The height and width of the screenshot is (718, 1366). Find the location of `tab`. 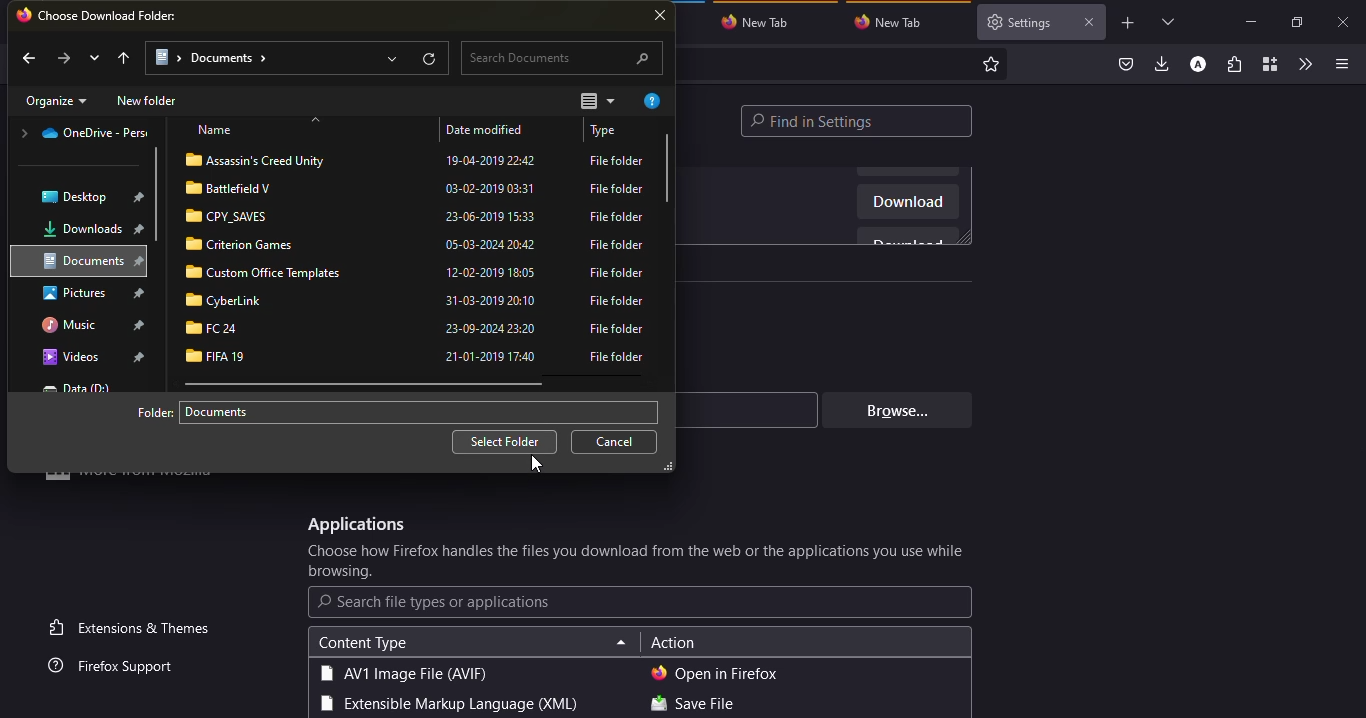

tab is located at coordinates (894, 22).